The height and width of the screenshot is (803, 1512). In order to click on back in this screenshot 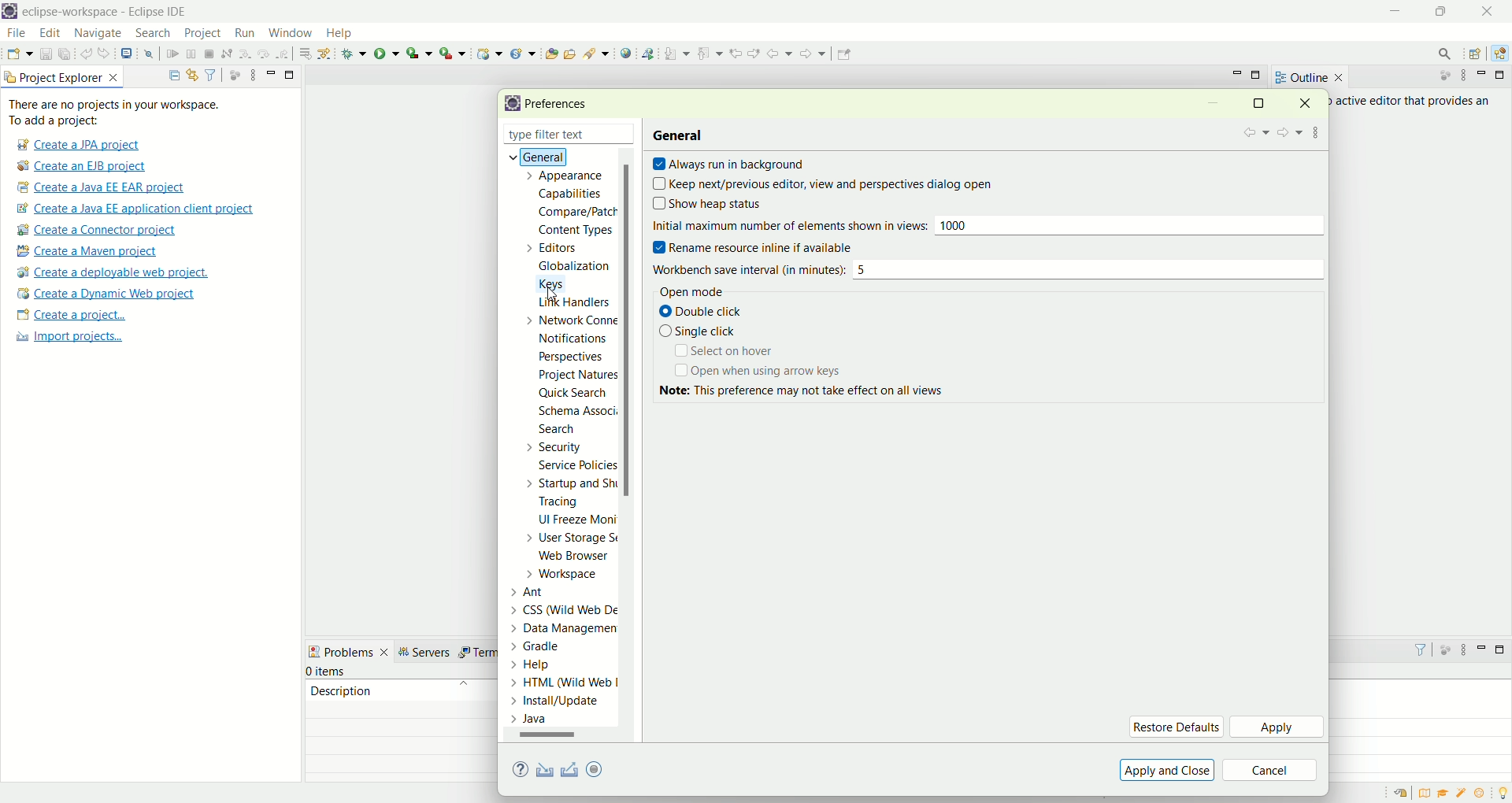, I will do `click(783, 53)`.